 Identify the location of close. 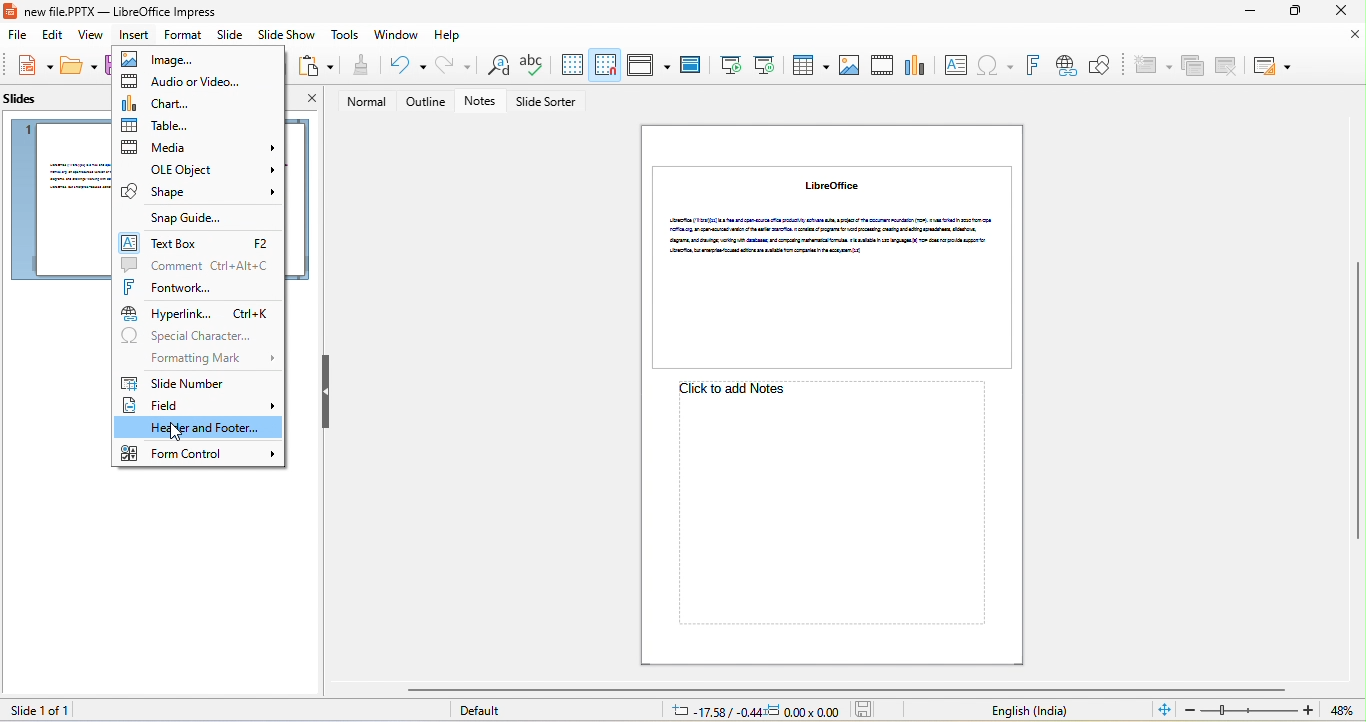
(1338, 11).